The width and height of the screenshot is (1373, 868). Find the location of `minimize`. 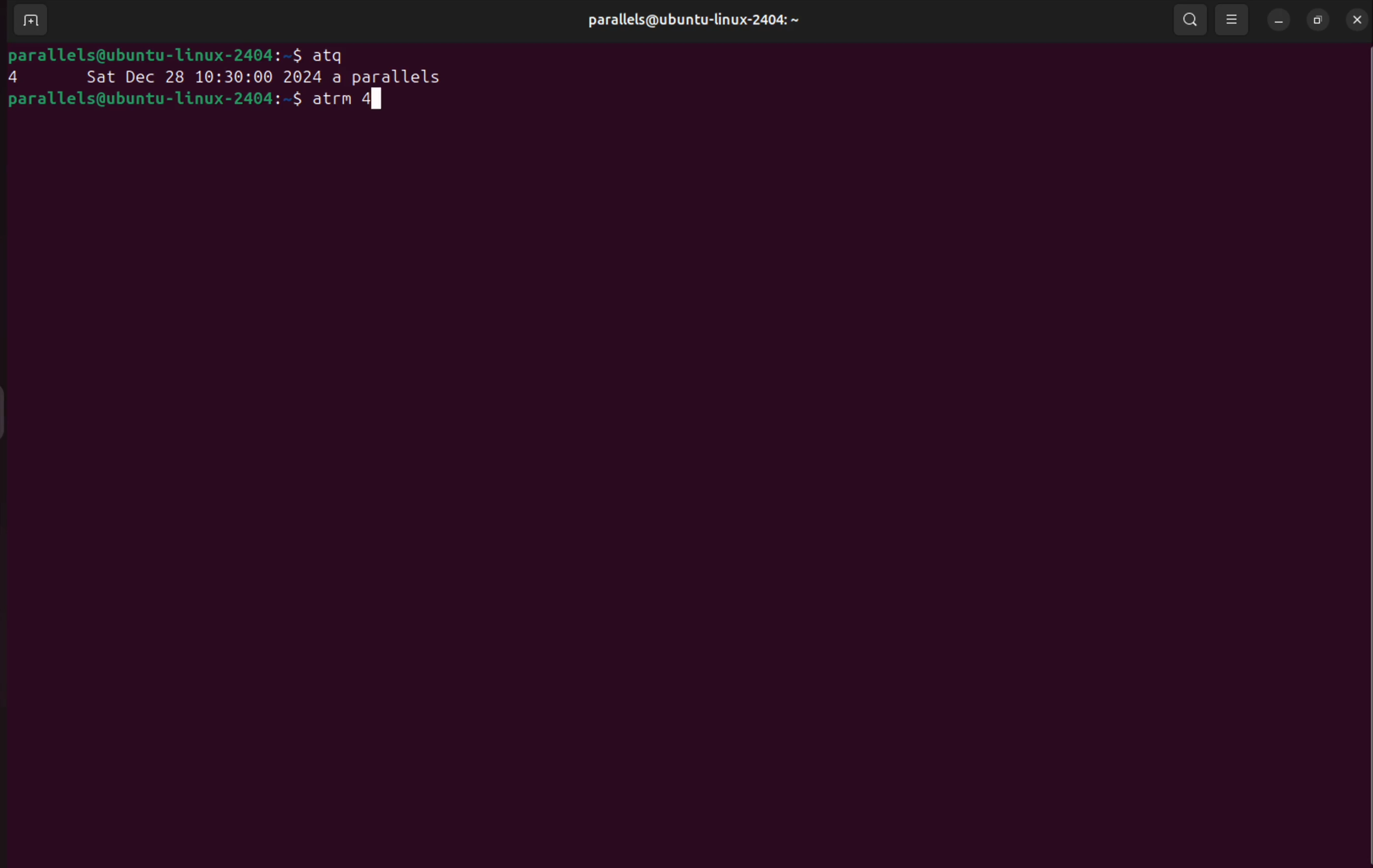

minimize is located at coordinates (1278, 19).